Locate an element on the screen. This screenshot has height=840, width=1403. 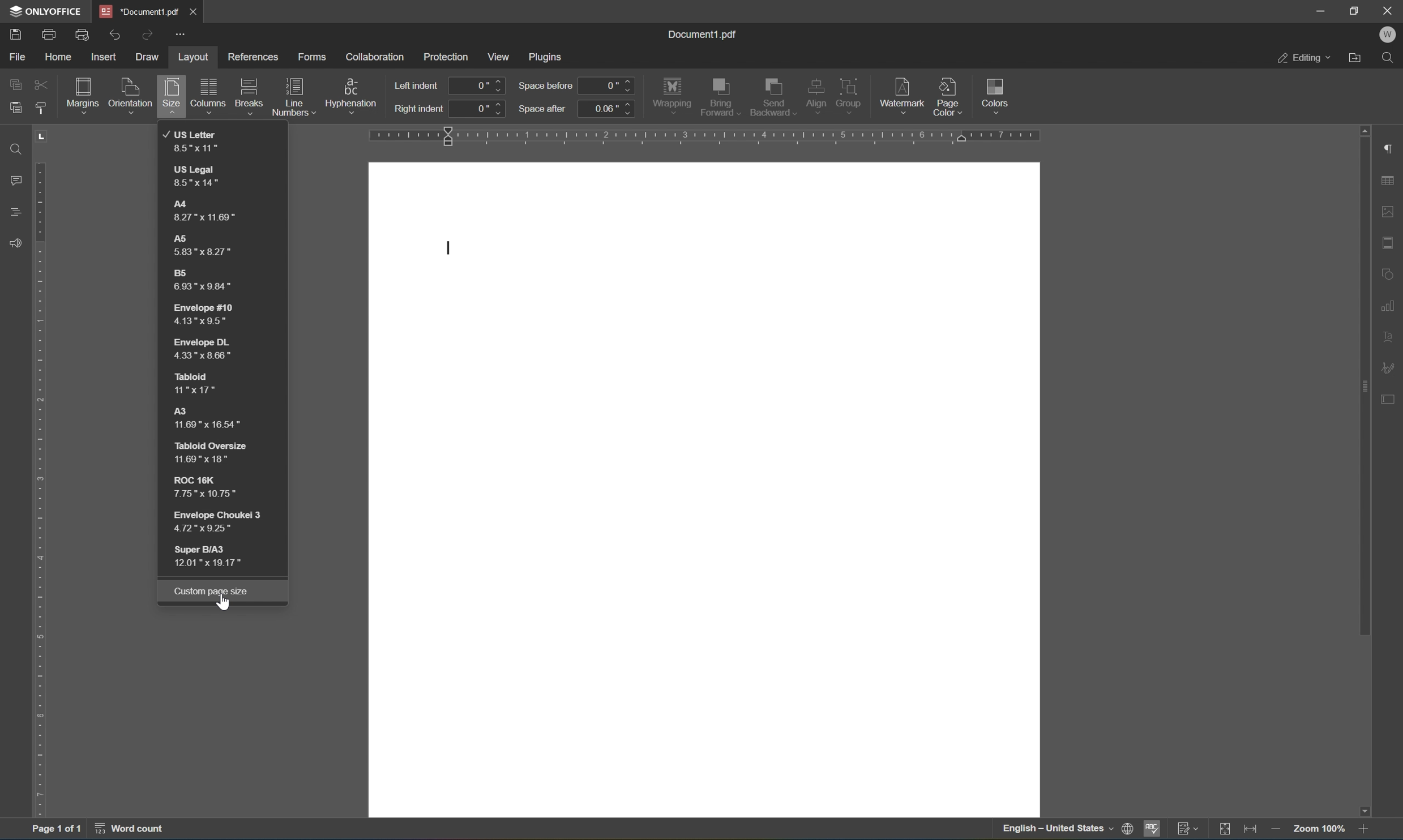
Tabloid is located at coordinates (192, 383).